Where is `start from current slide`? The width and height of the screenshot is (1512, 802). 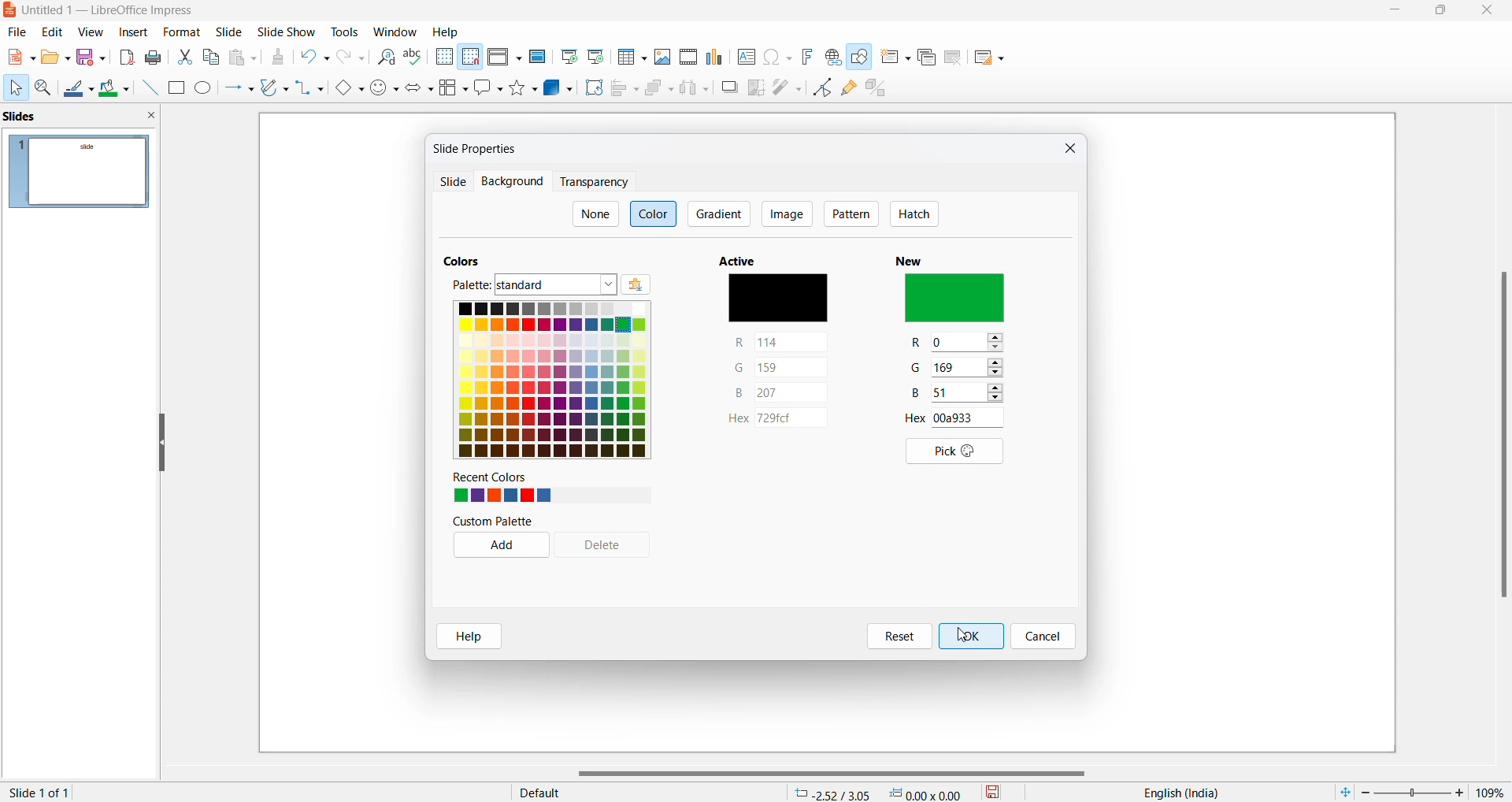 start from current slide is located at coordinates (595, 56).